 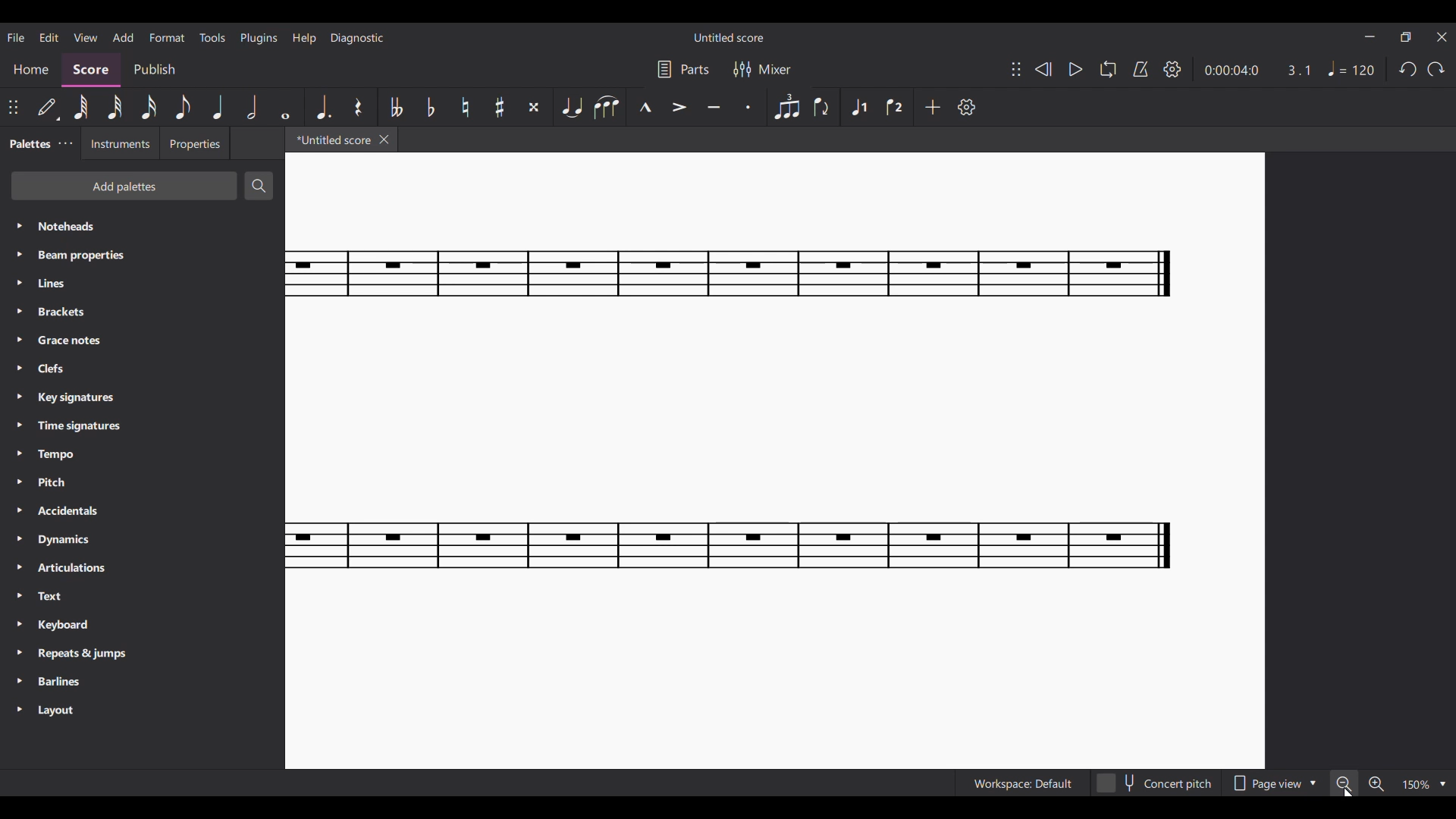 What do you see at coordinates (1016, 69) in the screenshot?
I see `Change position` at bounding box center [1016, 69].